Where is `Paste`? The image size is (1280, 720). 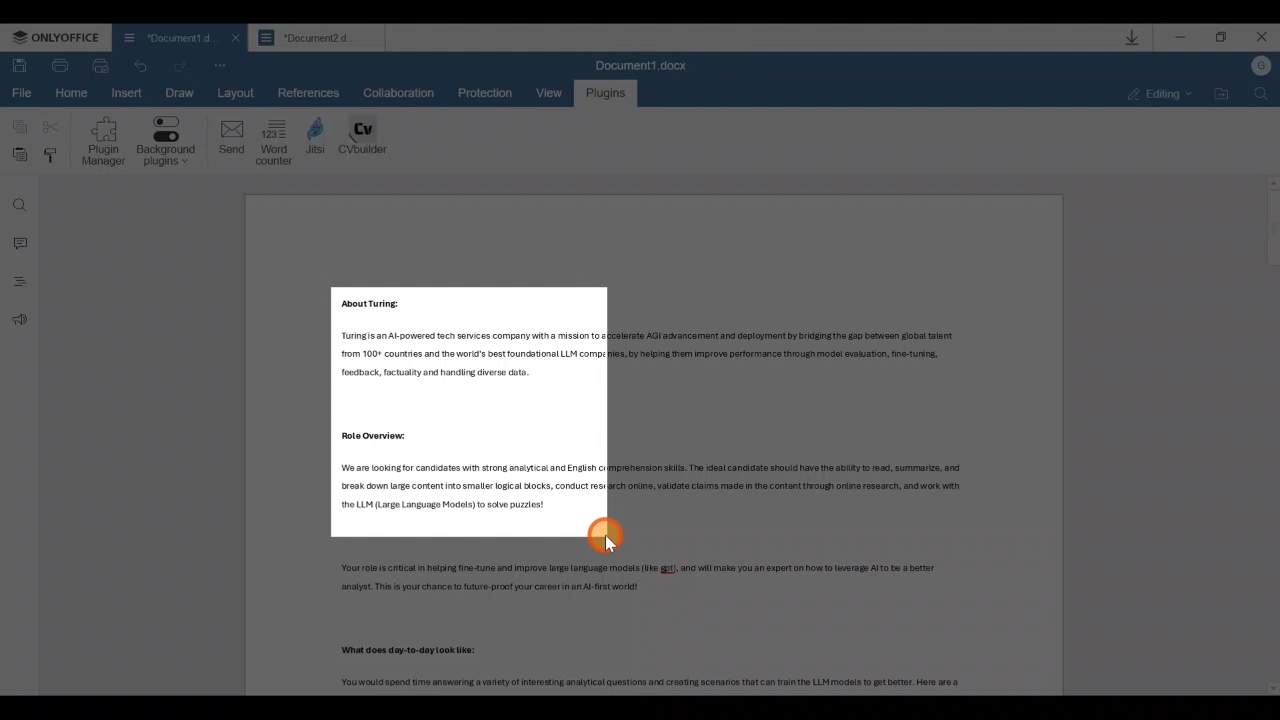
Paste is located at coordinates (17, 156).